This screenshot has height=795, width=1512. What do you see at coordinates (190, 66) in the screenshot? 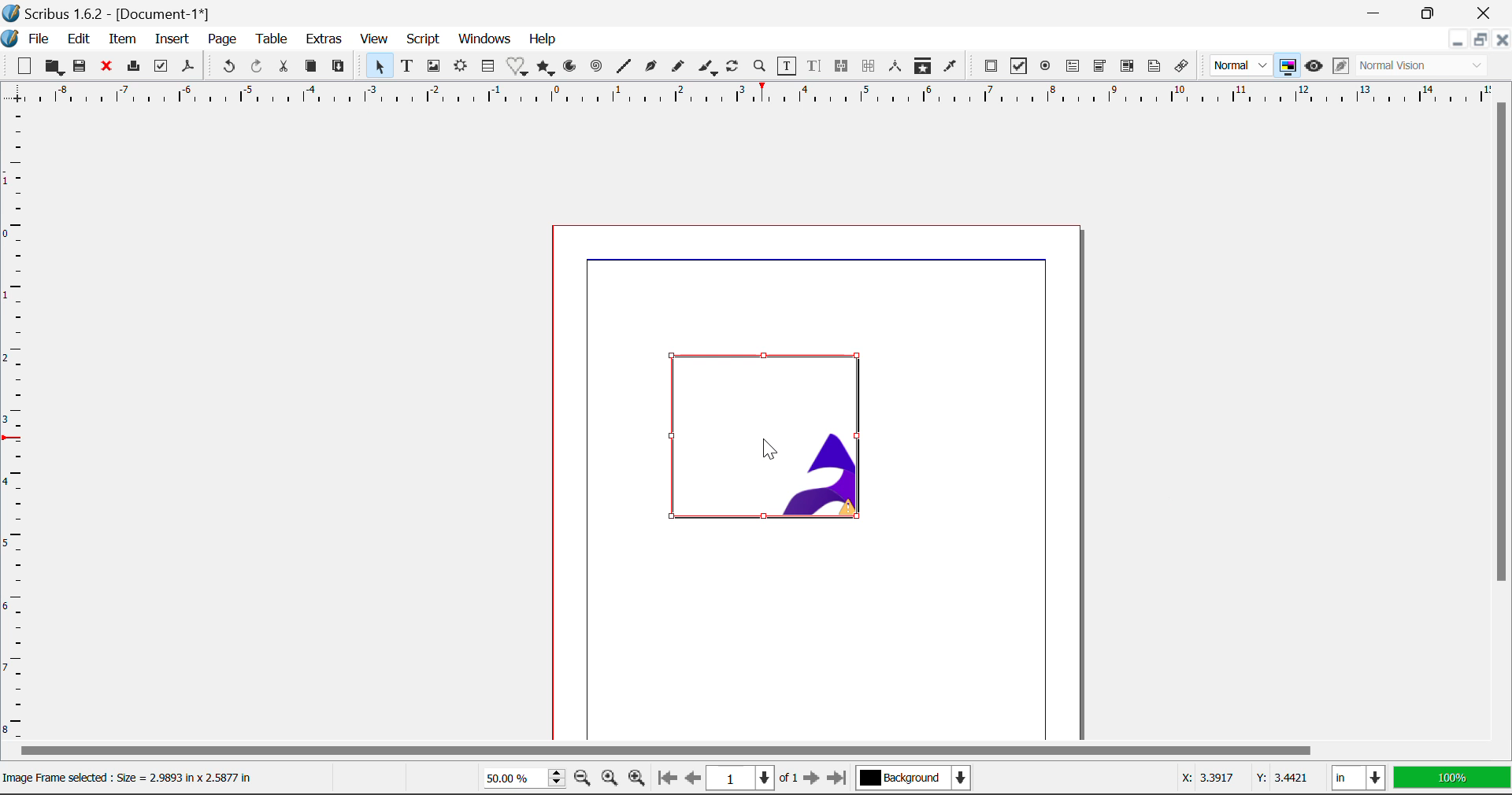
I see `Save as Pdf` at bounding box center [190, 66].